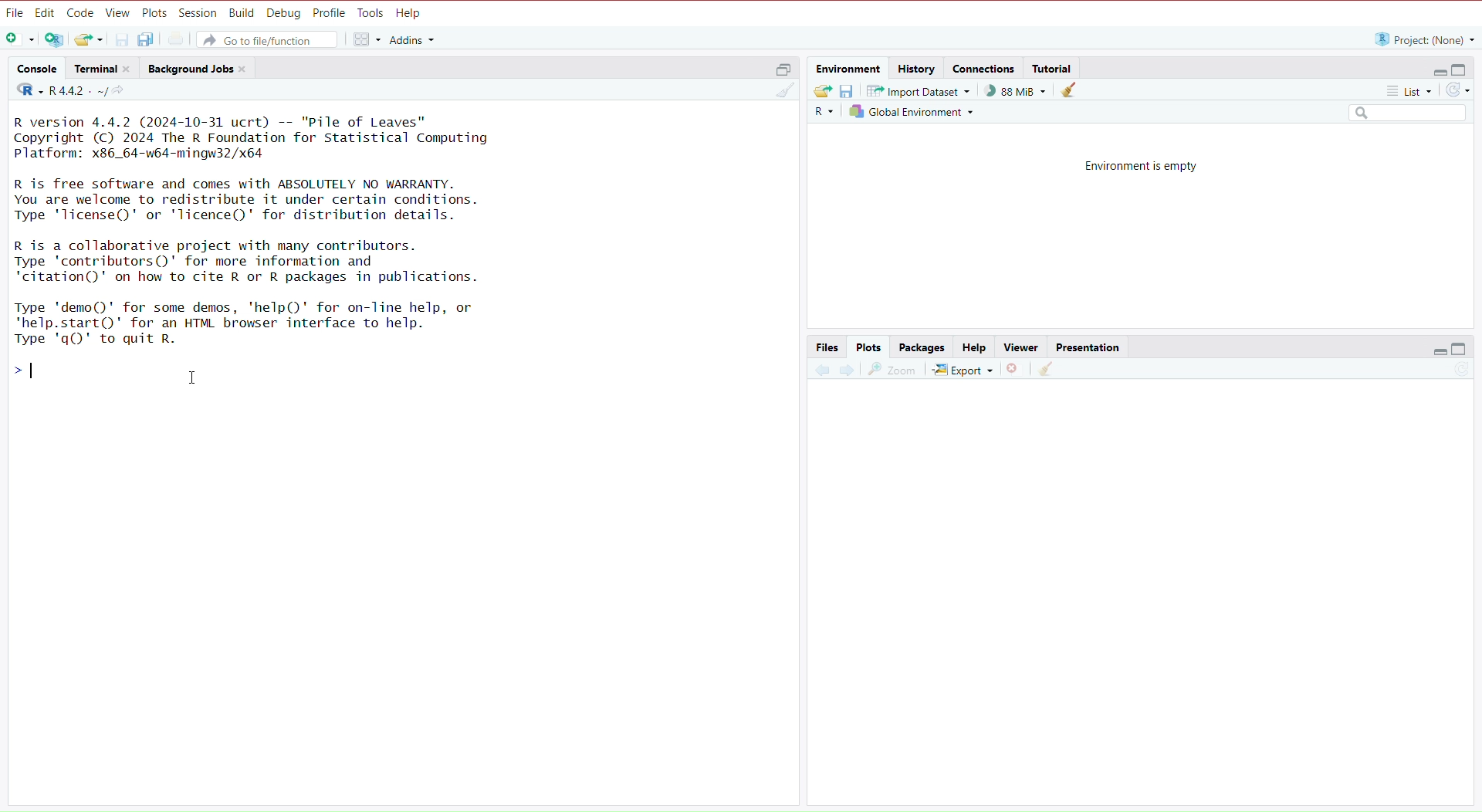 The height and width of the screenshot is (812, 1482). What do you see at coordinates (347, 299) in the screenshot?
I see `R version 4.4.2 (2024-10-31 ucrt) -- "Pile of Leaves"
Copyright (C) 2024 The R Foundation for Statistical Computing
Platform: x86_64-w64-mingw32/x64

R is free software and comes with ABSOLUTELY NO WARRANTY.
You are welcome to redistribute it under certain conditions.
Type 'lTicense()' or 'lTicence()' for distribution details.

R is a collaborative project with many contributors.

Type 'contributors()' for more information and

‘citation()' on how to cite R or R packages in publications.
Type 'demo()' for some demos, 'help()' for on-line help, or
"help.start()' for an HTML browser interface to help.

Type 'q()' to quit R.

>| I` at bounding box center [347, 299].